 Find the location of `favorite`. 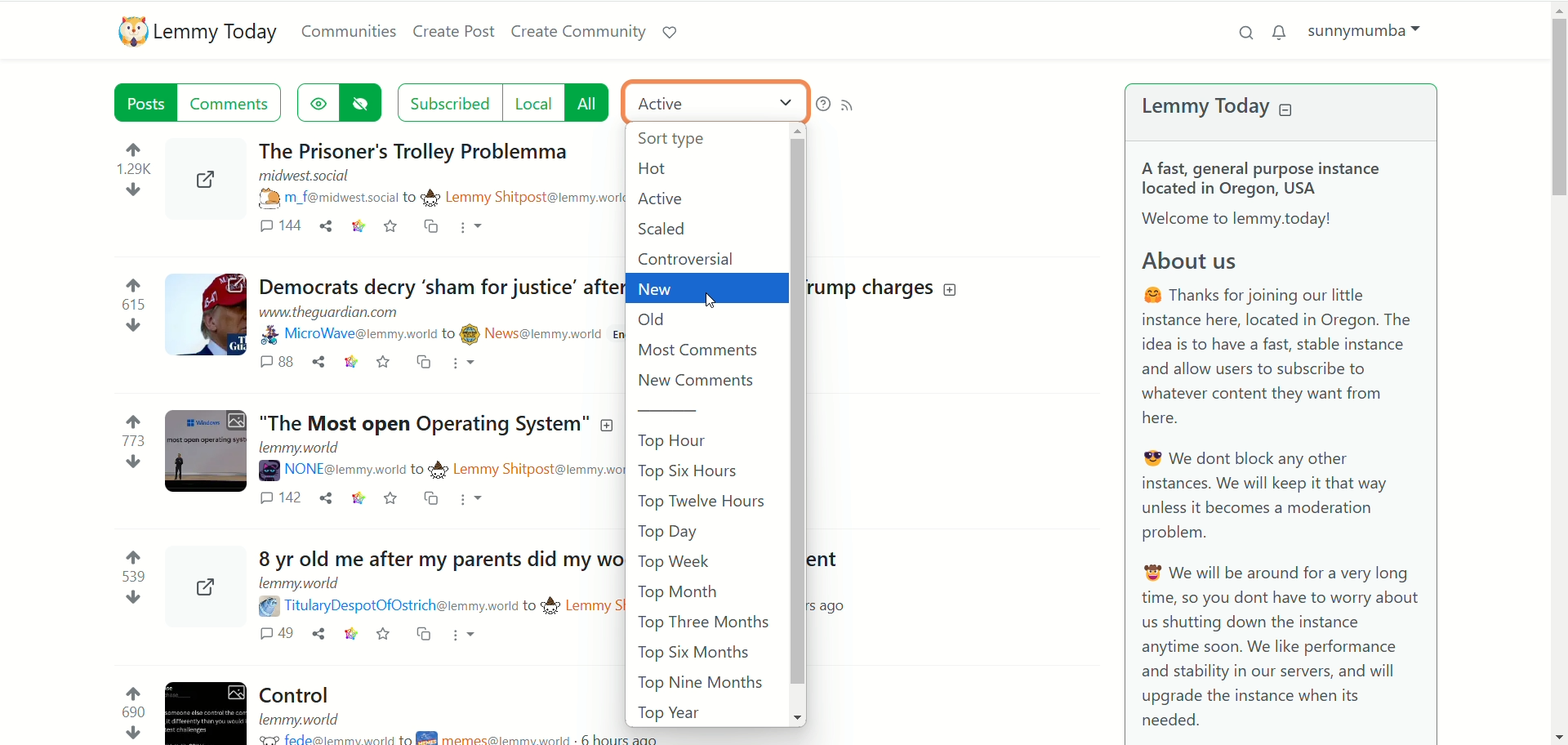

favorite is located at coordinates (393, 224).